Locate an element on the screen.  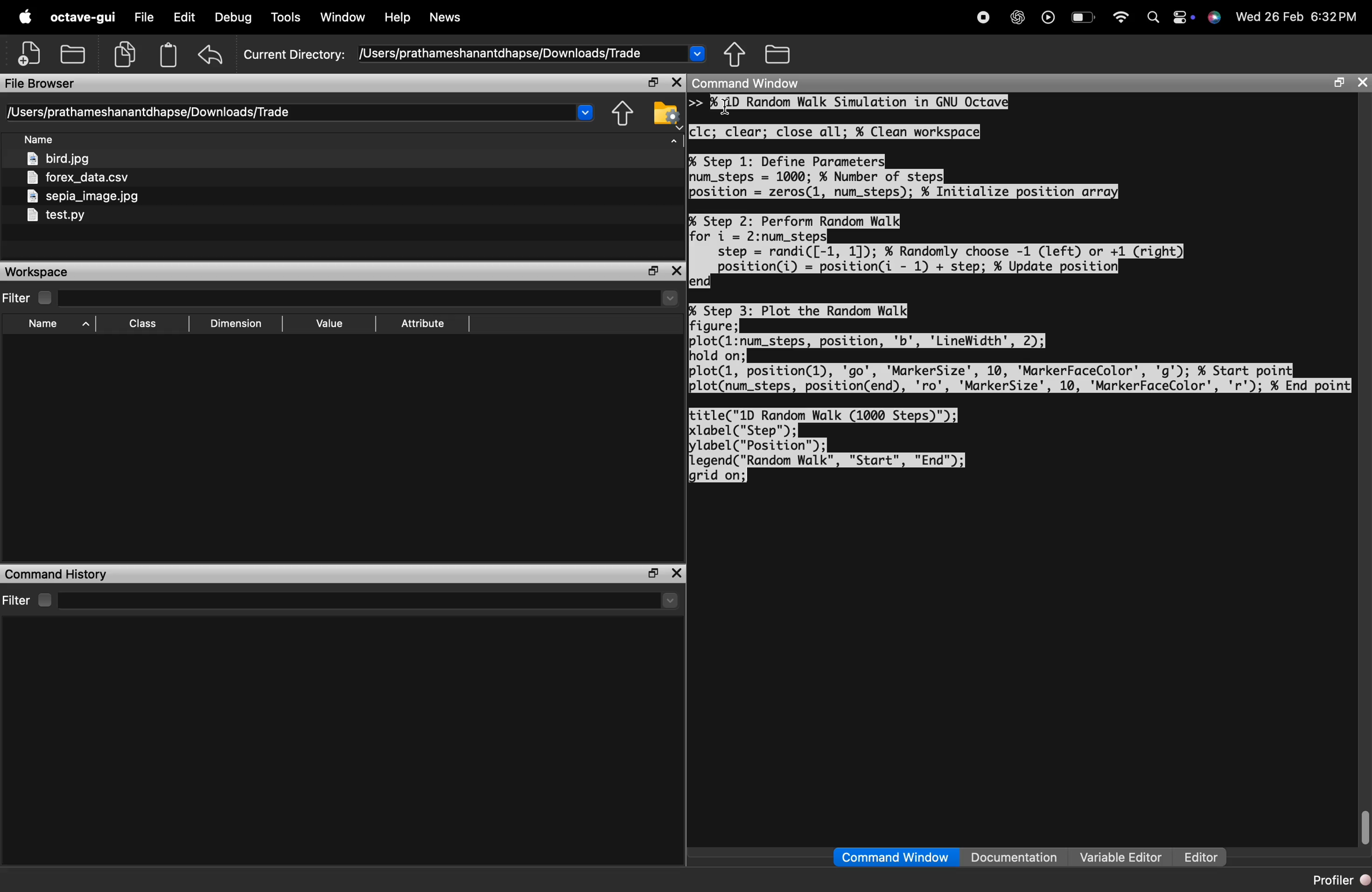
profiler is located at coordinates (1337, 880).